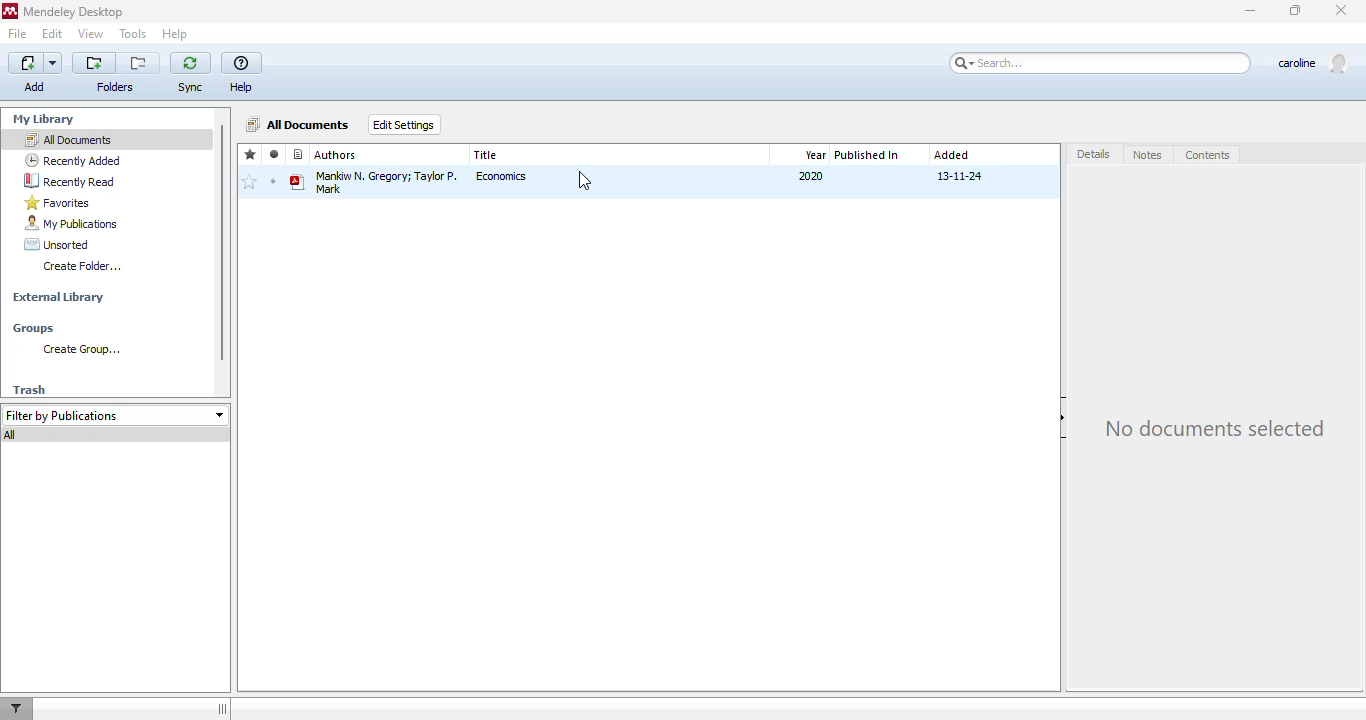 This screenshot has width=1366, height=720. What do you see at coordinates (16, 709) in the screenshot?
I see `filter documents by author, tag or publication.` at bounding box center [16, 709].